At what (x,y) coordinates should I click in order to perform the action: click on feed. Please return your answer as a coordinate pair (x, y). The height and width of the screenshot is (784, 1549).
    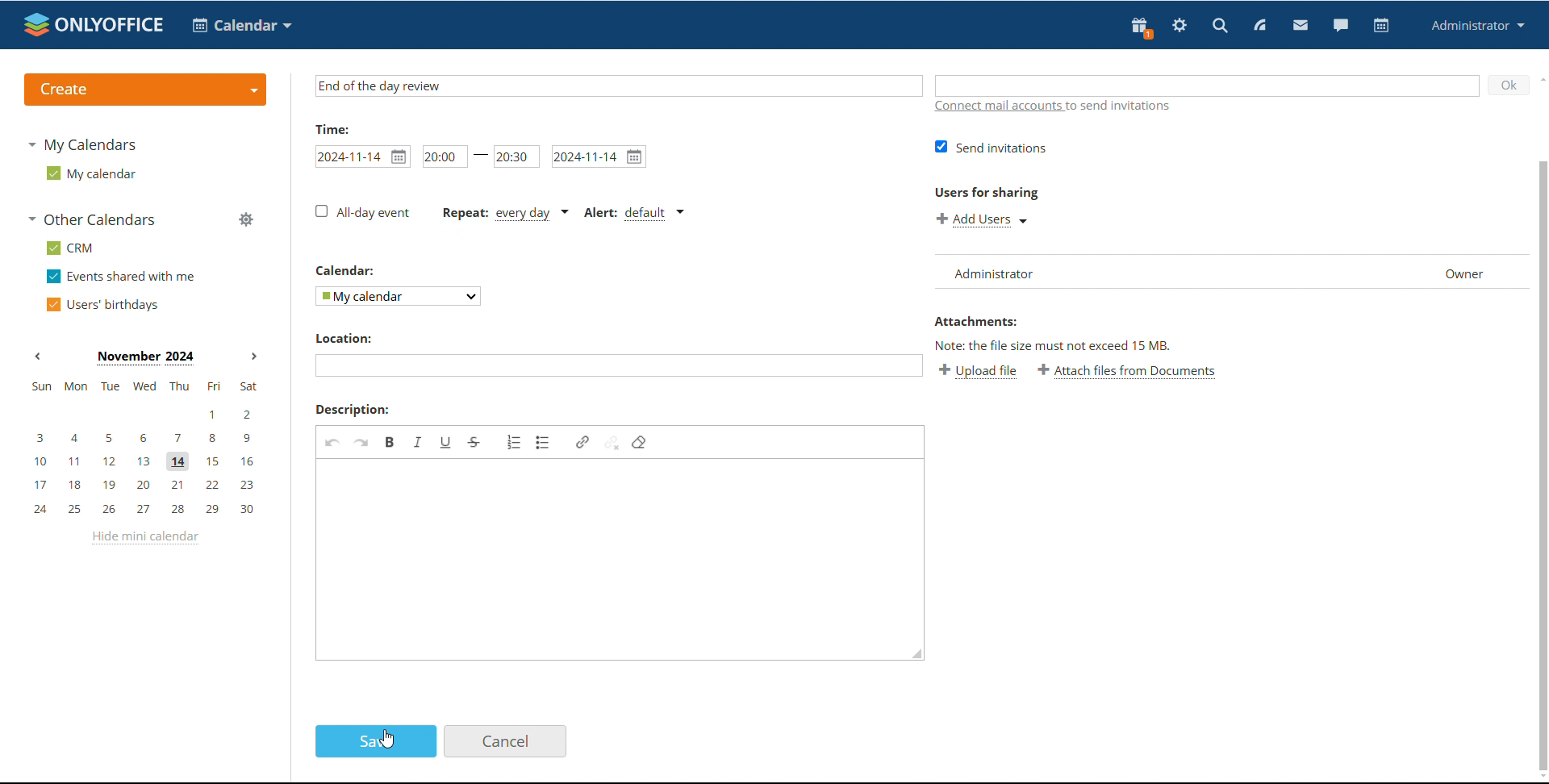
    Looking at the image, I should click on (1259, 25).